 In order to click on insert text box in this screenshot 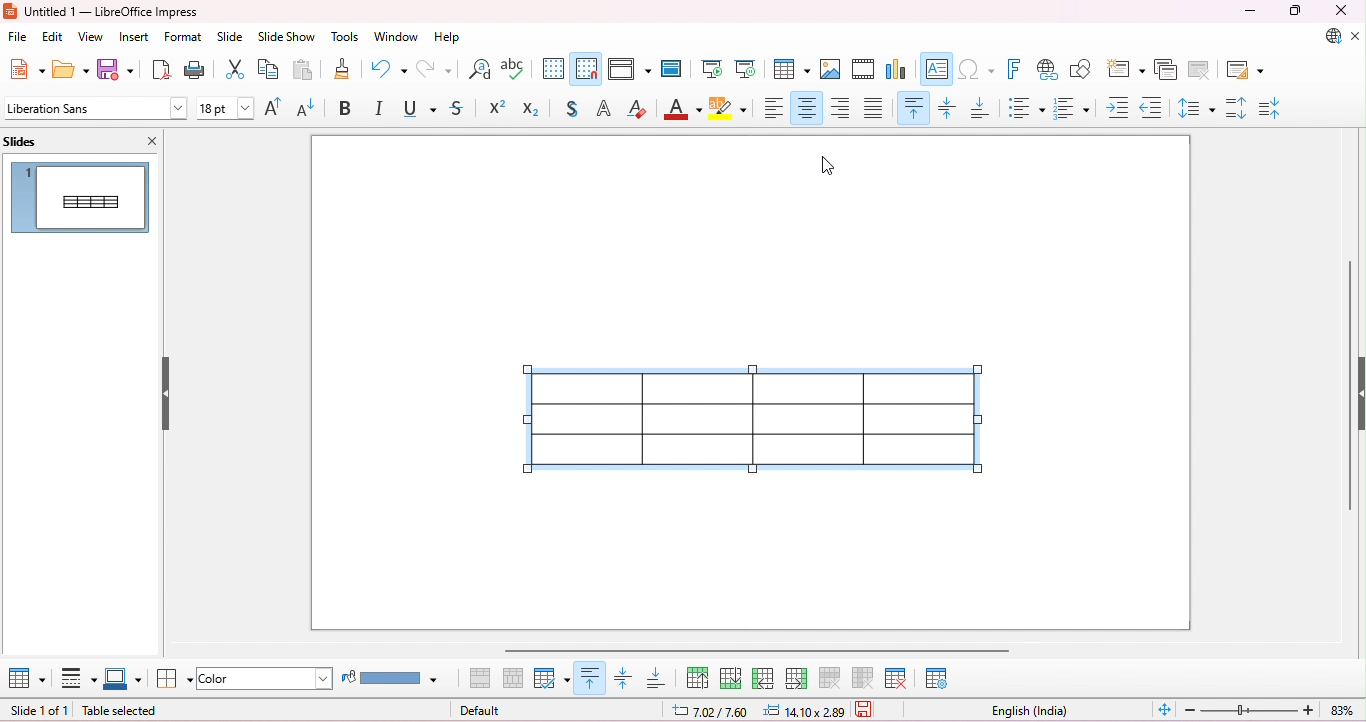, I will do `click(936, 68)`.